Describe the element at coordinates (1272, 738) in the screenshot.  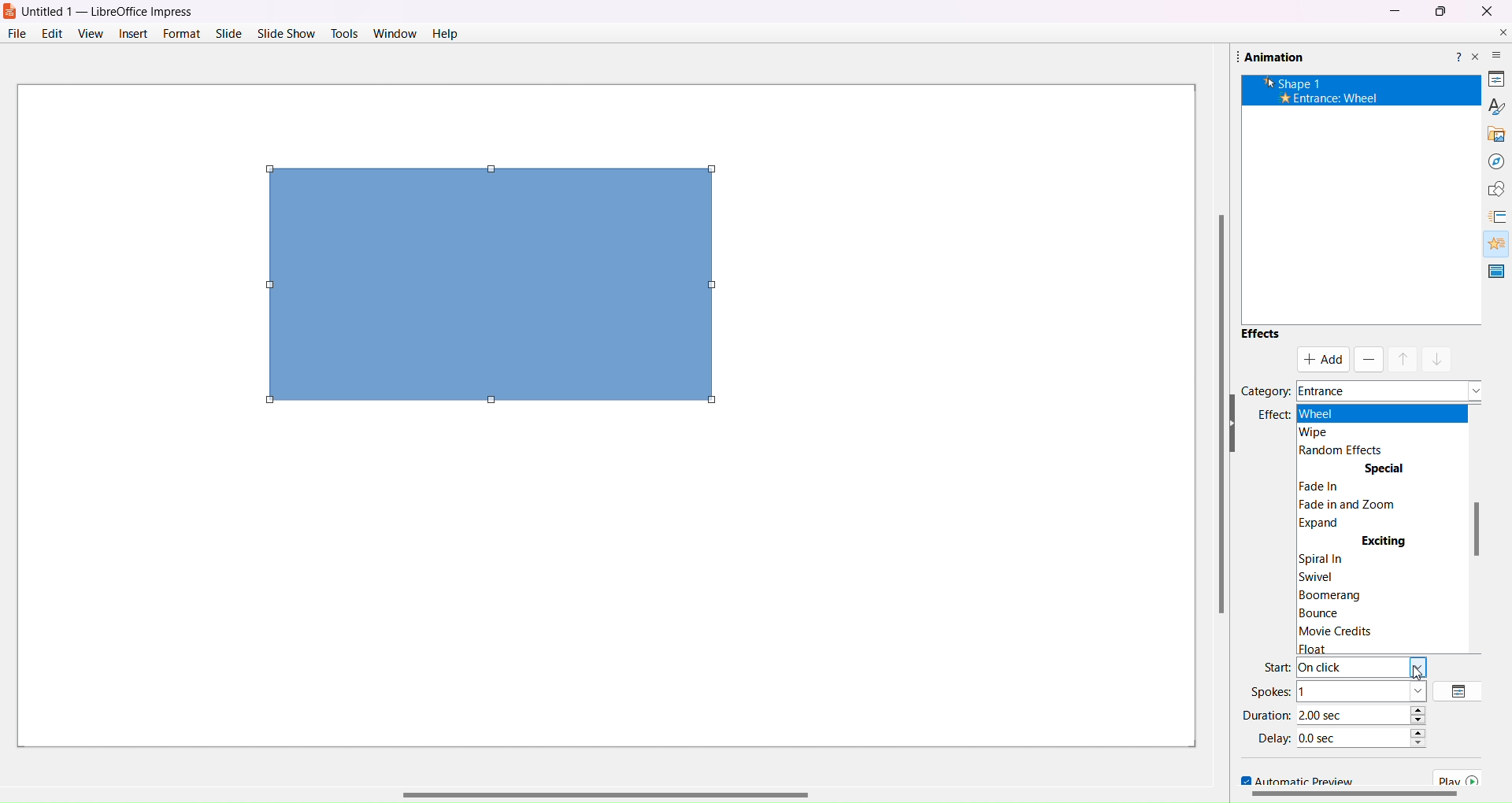
I see `Delay` at that location.